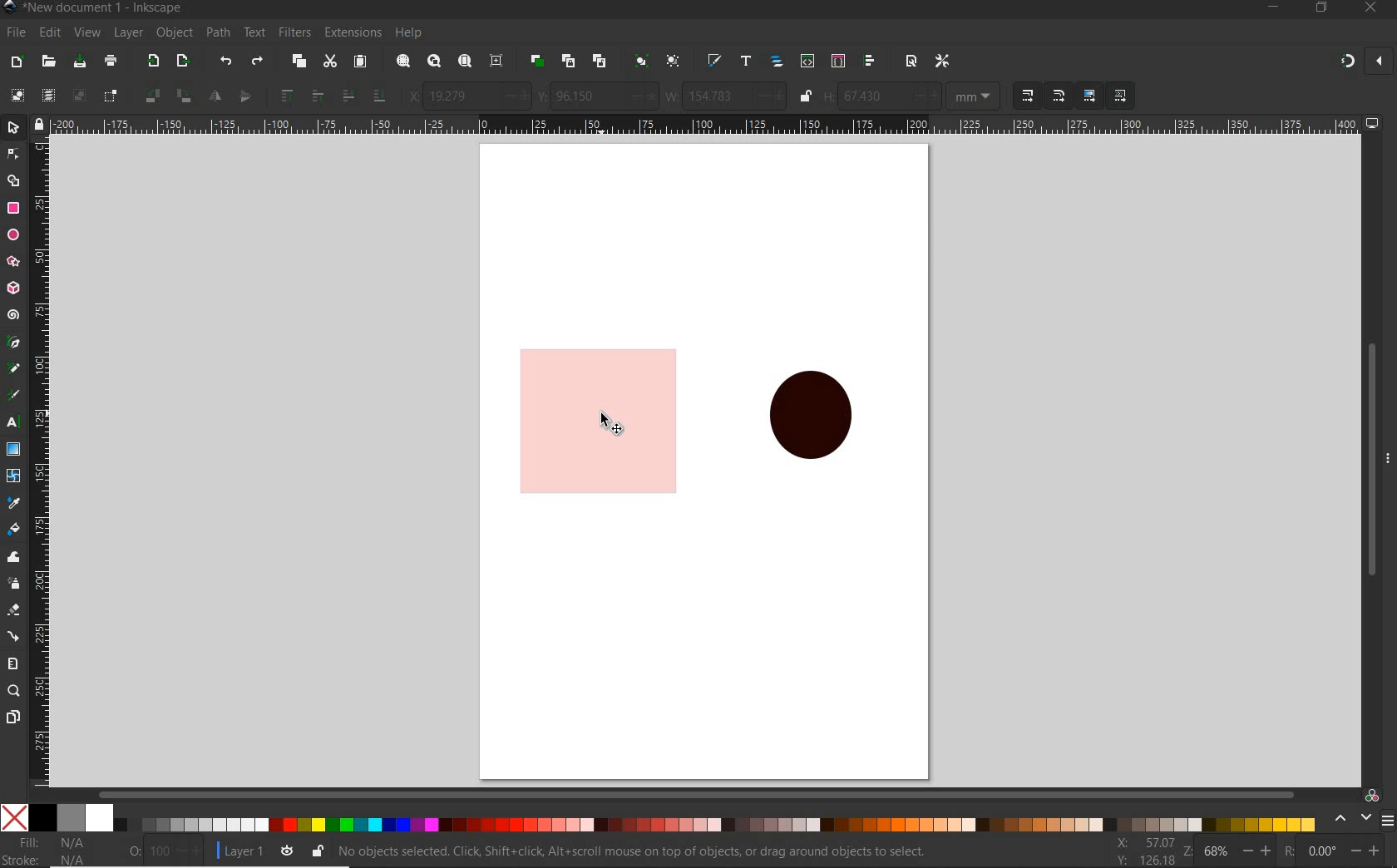  I want to click on CURSOR, so click(610, 422).